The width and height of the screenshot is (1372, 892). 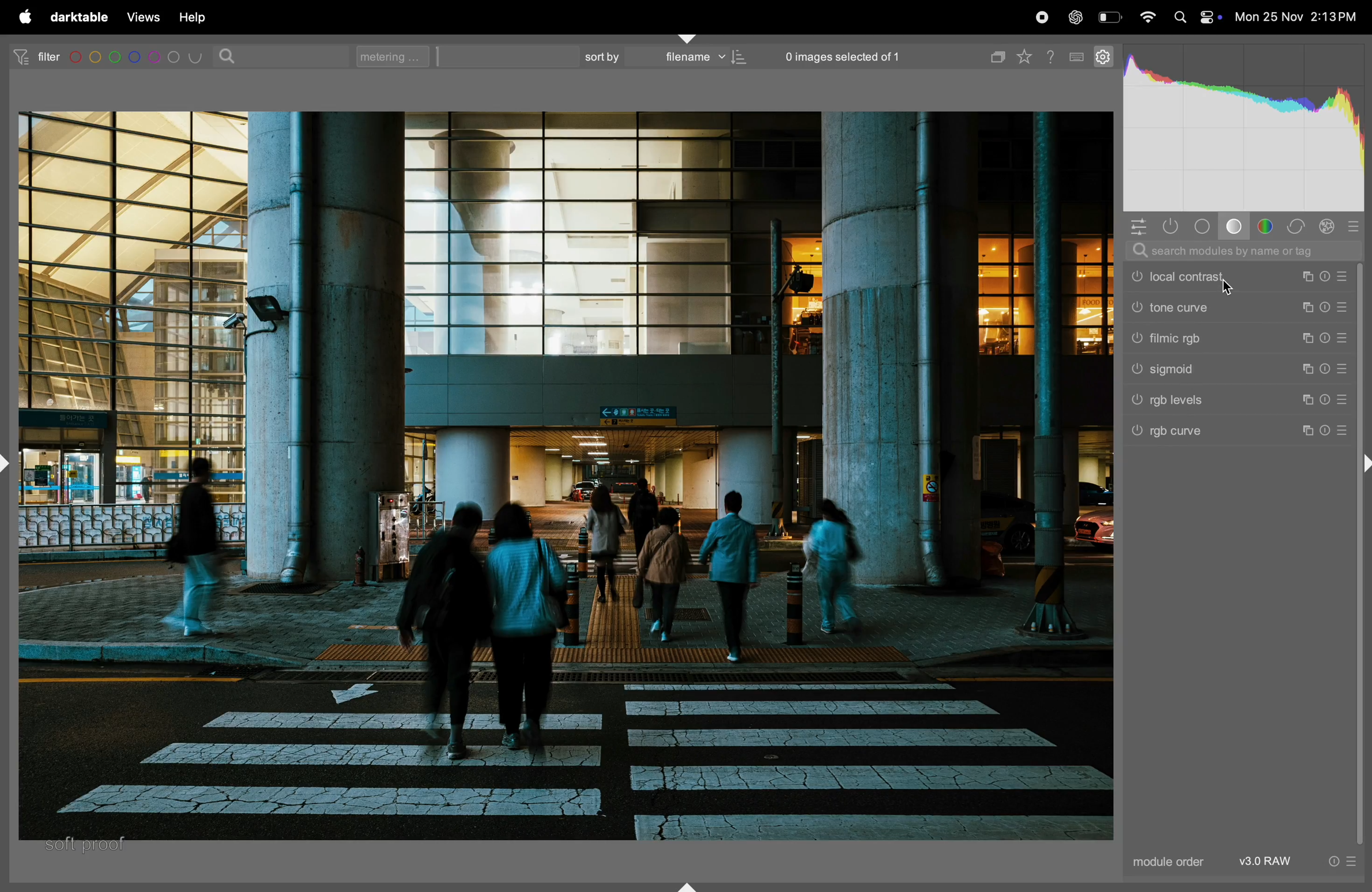 What do you see at coordinates (1269, 861) in the screenshot?
I see `V3 raw` at bounding box center [1269, 861].